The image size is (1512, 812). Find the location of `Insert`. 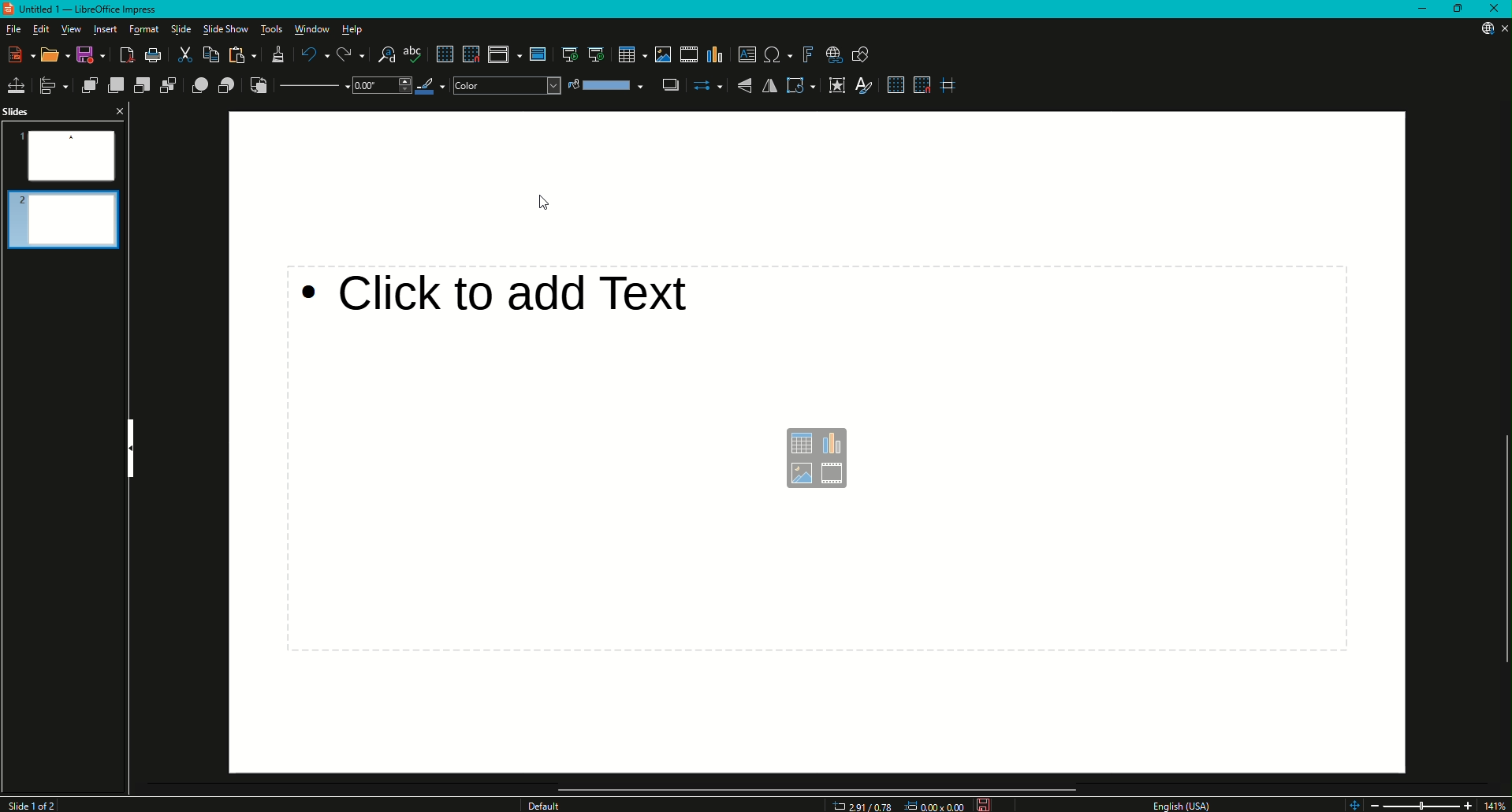

Insert is located at coordinates (107, 30).